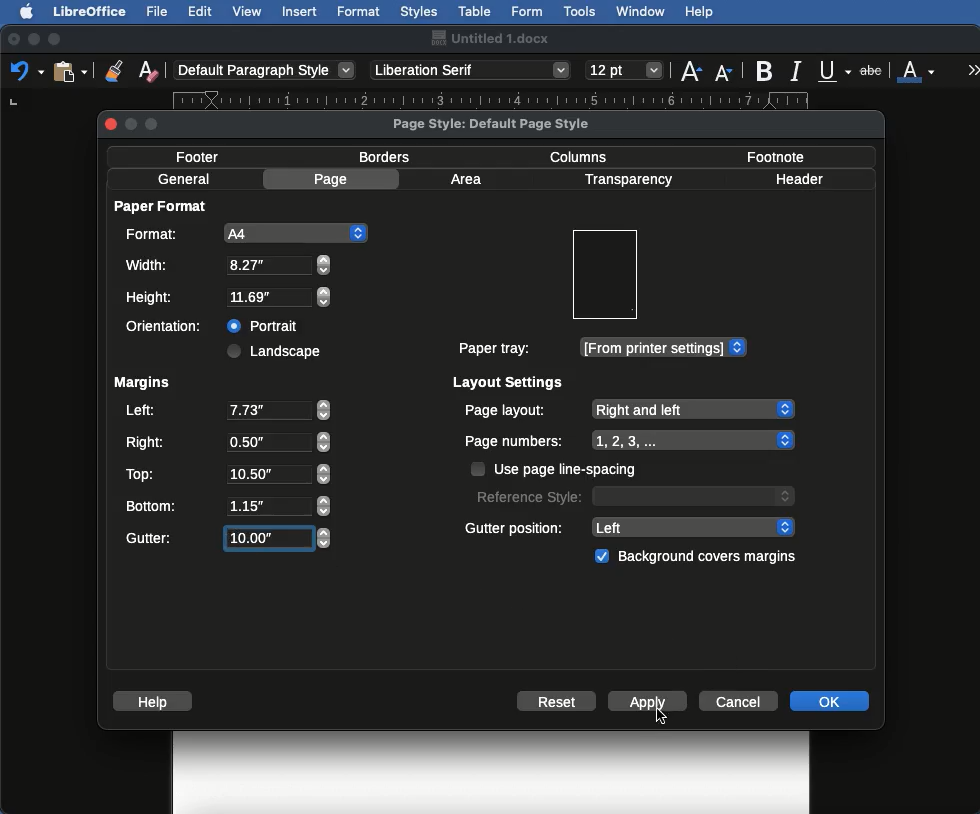  Describe the element at coordinates (277, 351) in the screenshot. I see `Landscape` at that location.